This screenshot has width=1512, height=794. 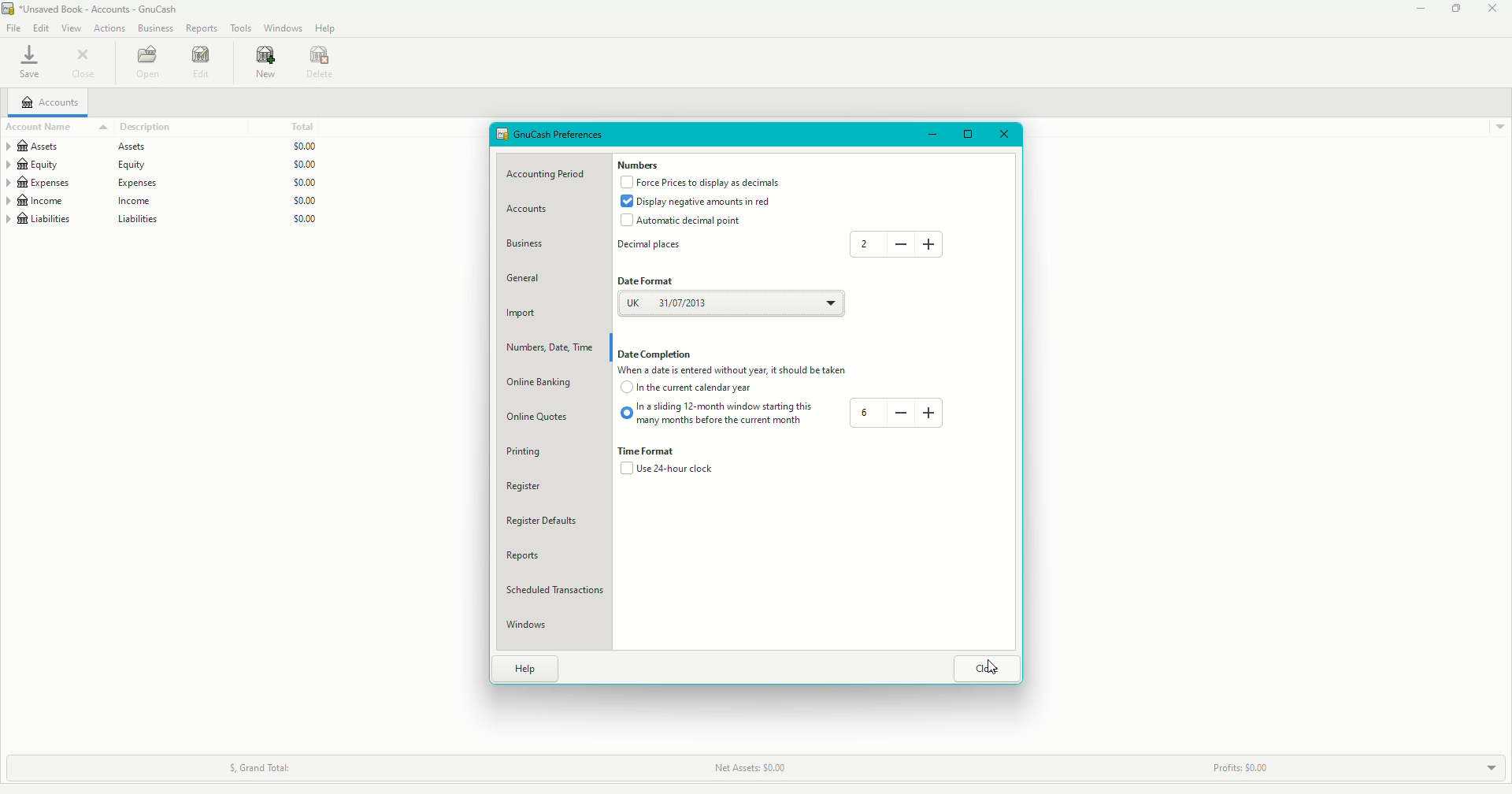 What do you see at coordinates (638, 165) in the screenshot?
I see `Numbers` at bounding box center [638, 165].